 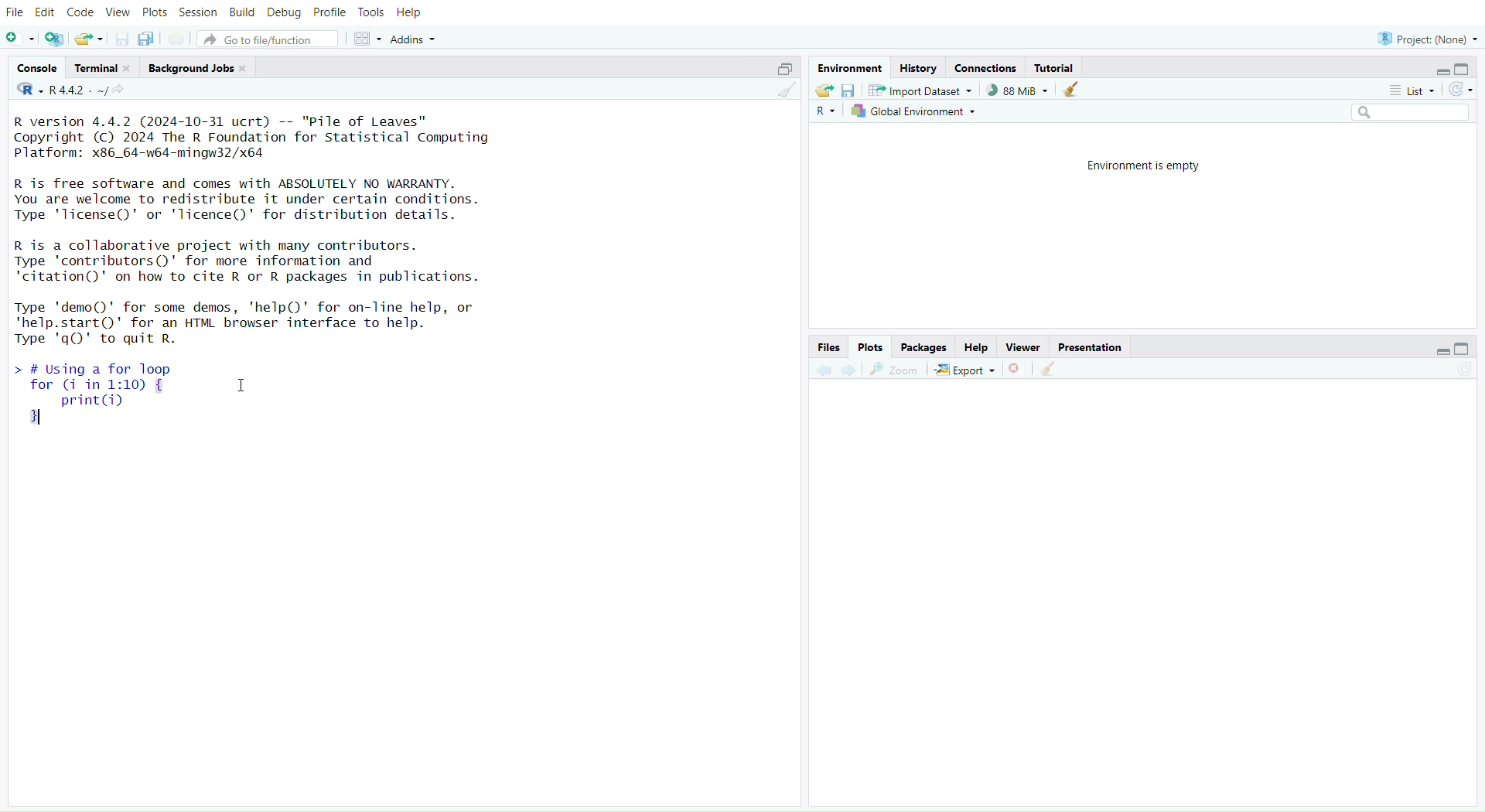 What do you see at coordinates (783, 91) in the screenshot?
I see `clear console` at bounding box center [783, 91].